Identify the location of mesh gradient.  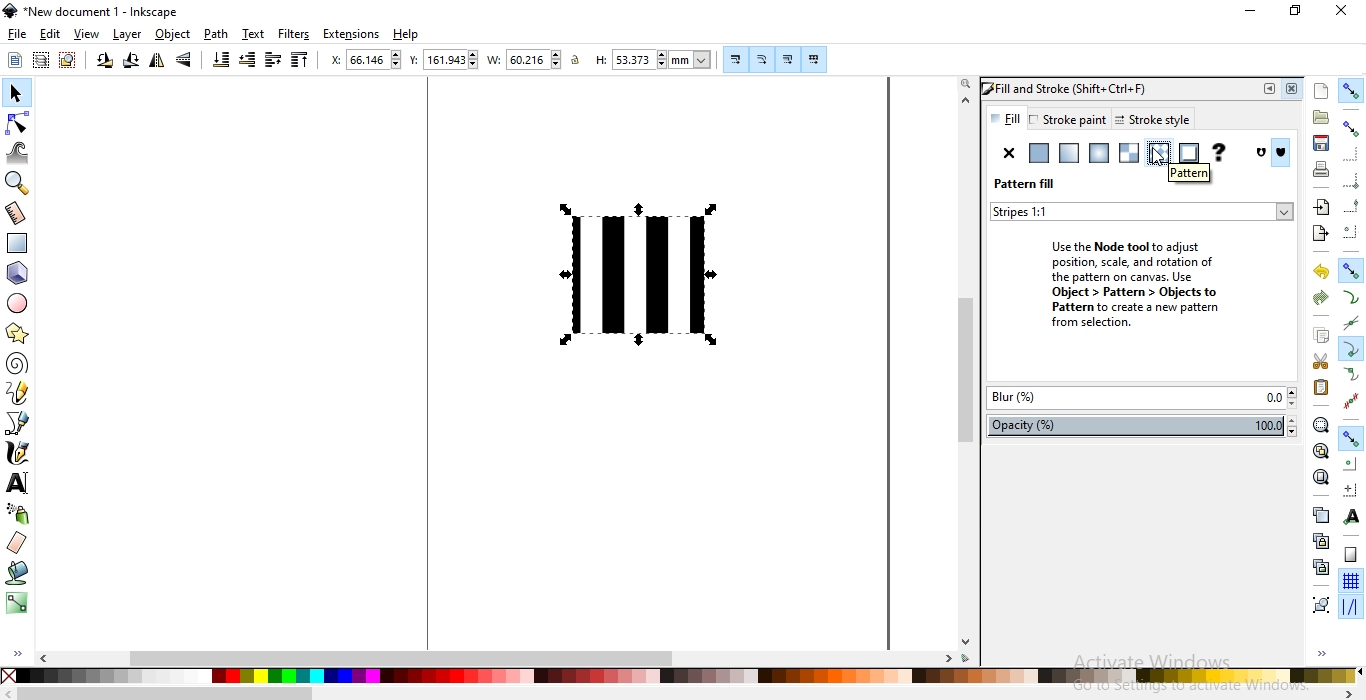
(1129, 153).